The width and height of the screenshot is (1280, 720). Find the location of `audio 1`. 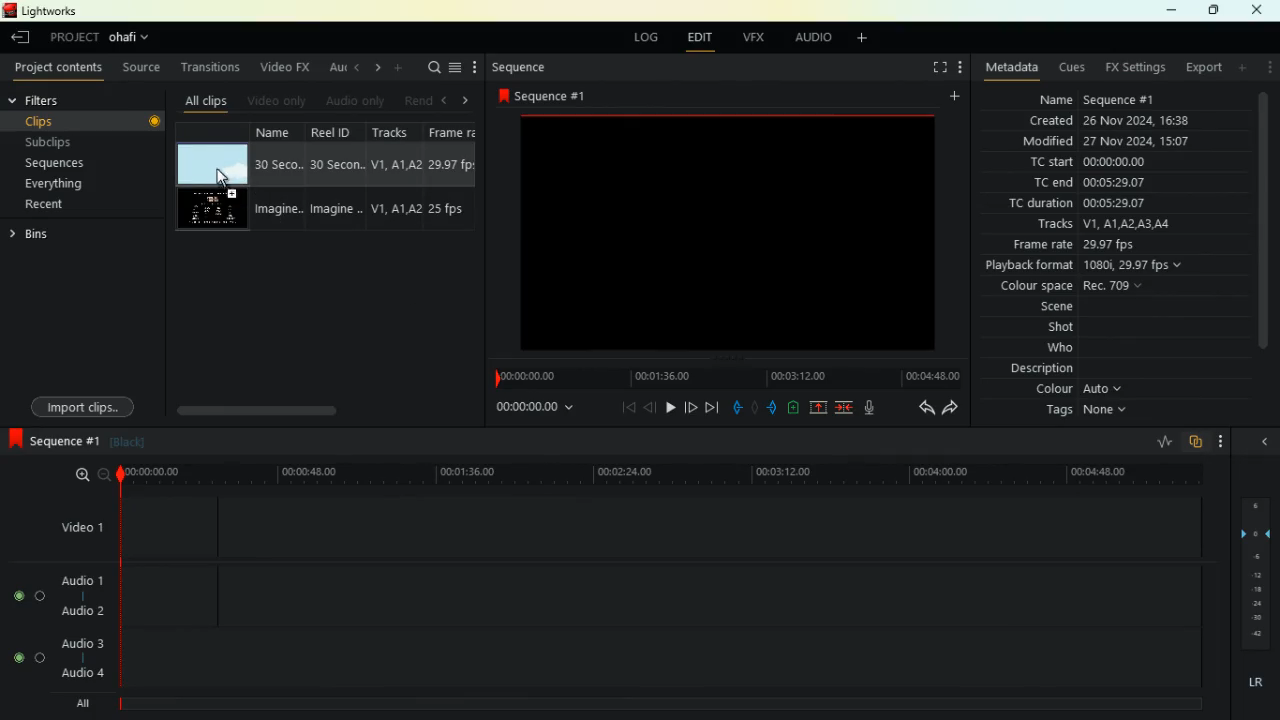

audio 1 is located at coordinates (75, 581).